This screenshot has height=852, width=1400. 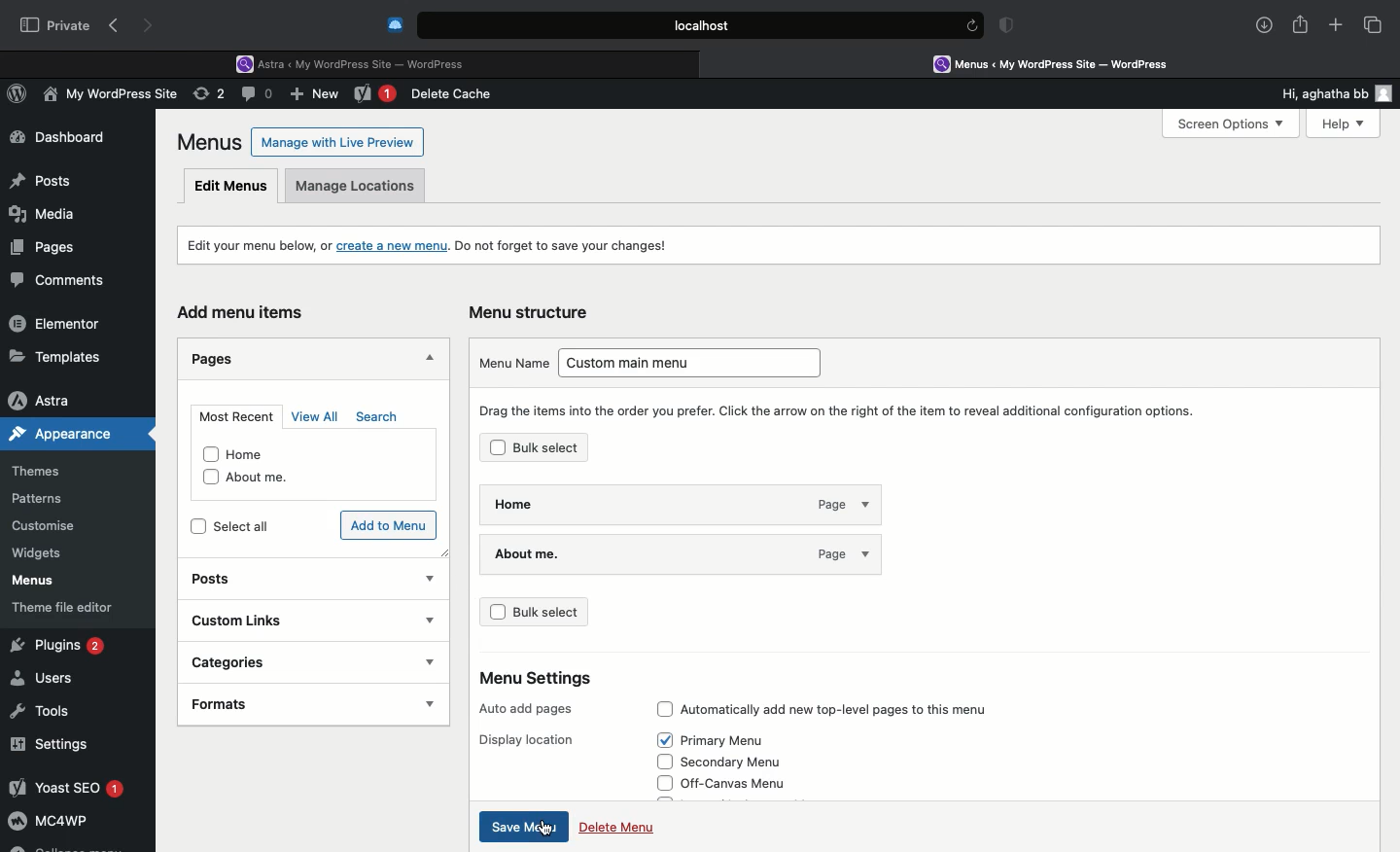 What do you see at coordinates (46, 679) in the screenshot?
I see `Users` at bounding box center [46, 679].